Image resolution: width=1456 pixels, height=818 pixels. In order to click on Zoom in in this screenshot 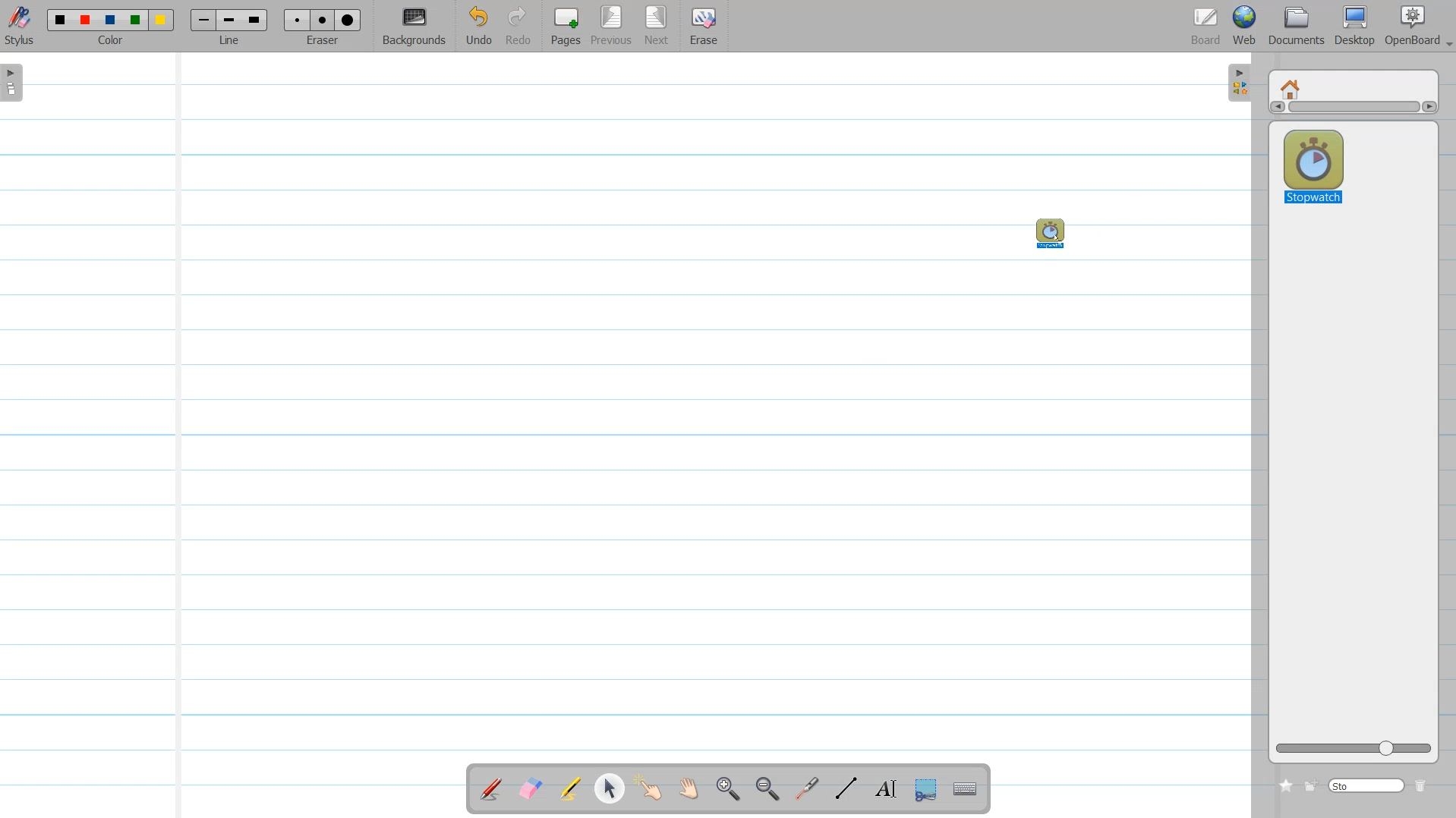, I will do `click(729, 789)`.